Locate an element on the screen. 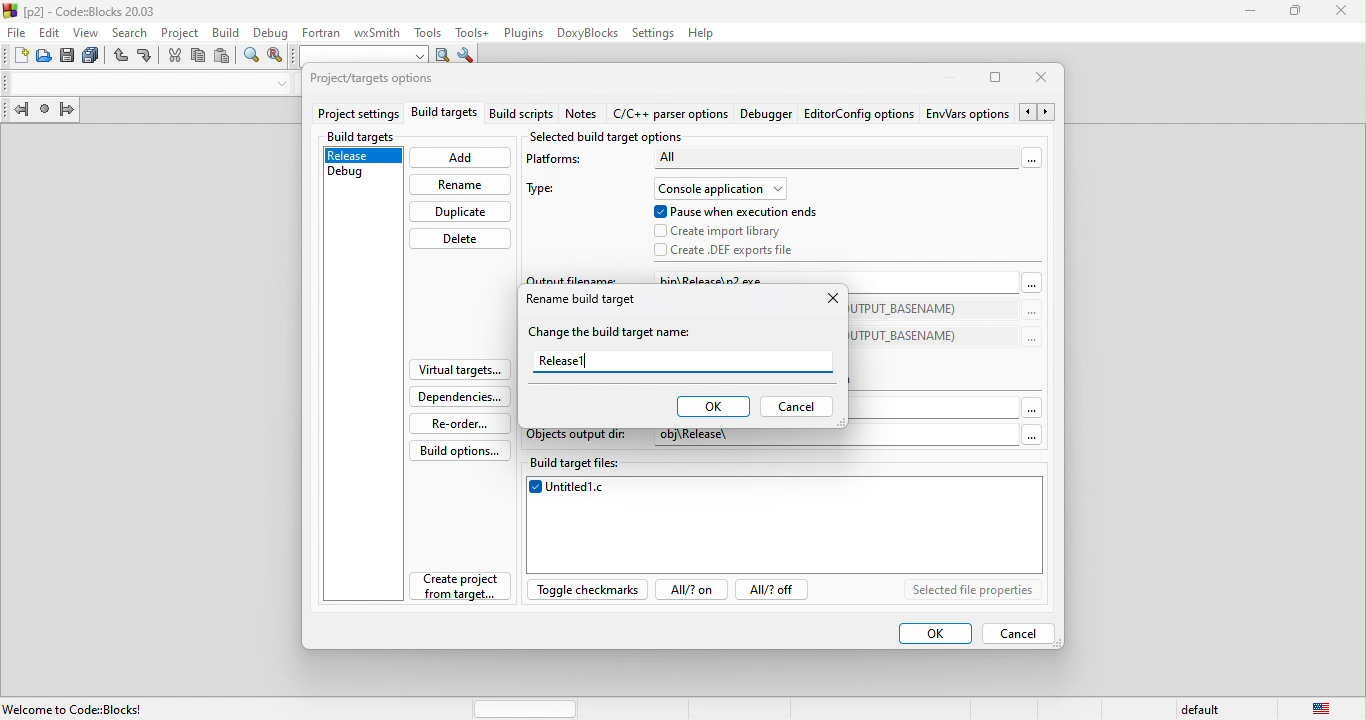 This screenshot has height=720, width=1366. more is located at coordinates (1030, 338).